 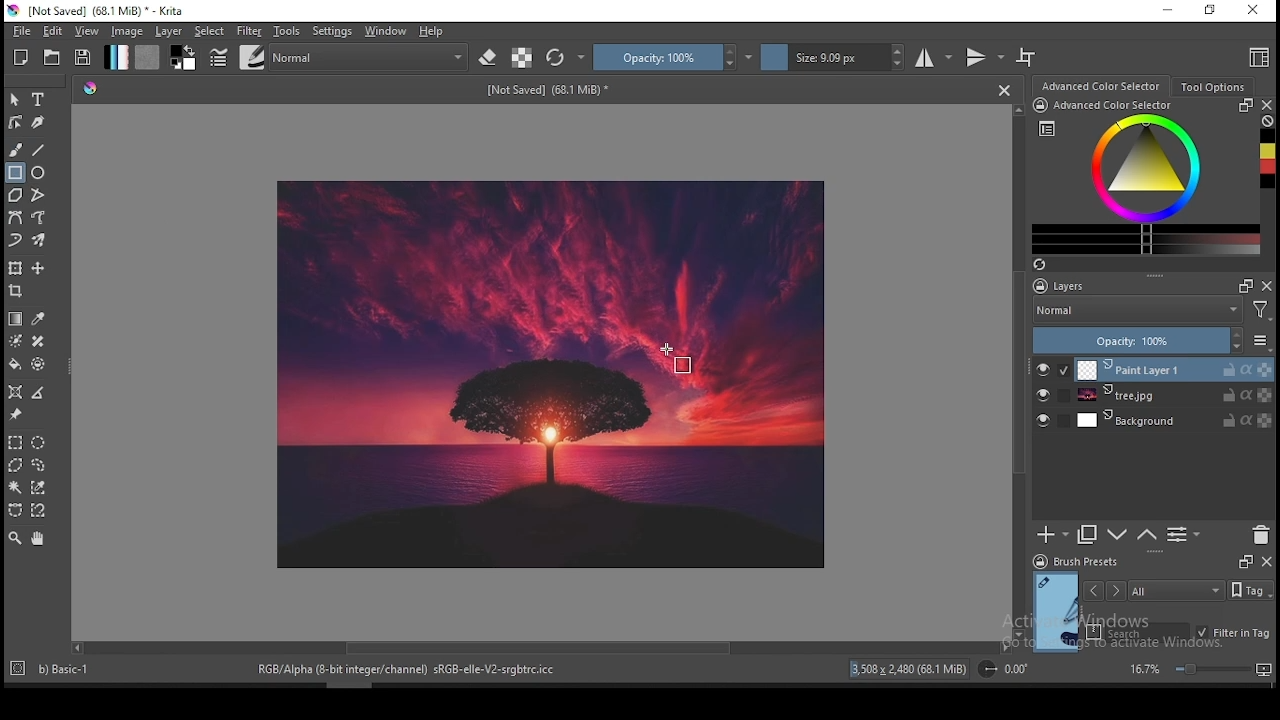 What do you see at coordinates (1199, 669) in the screenshot?
I see `zoom ` at bounding box center [1199, 669].